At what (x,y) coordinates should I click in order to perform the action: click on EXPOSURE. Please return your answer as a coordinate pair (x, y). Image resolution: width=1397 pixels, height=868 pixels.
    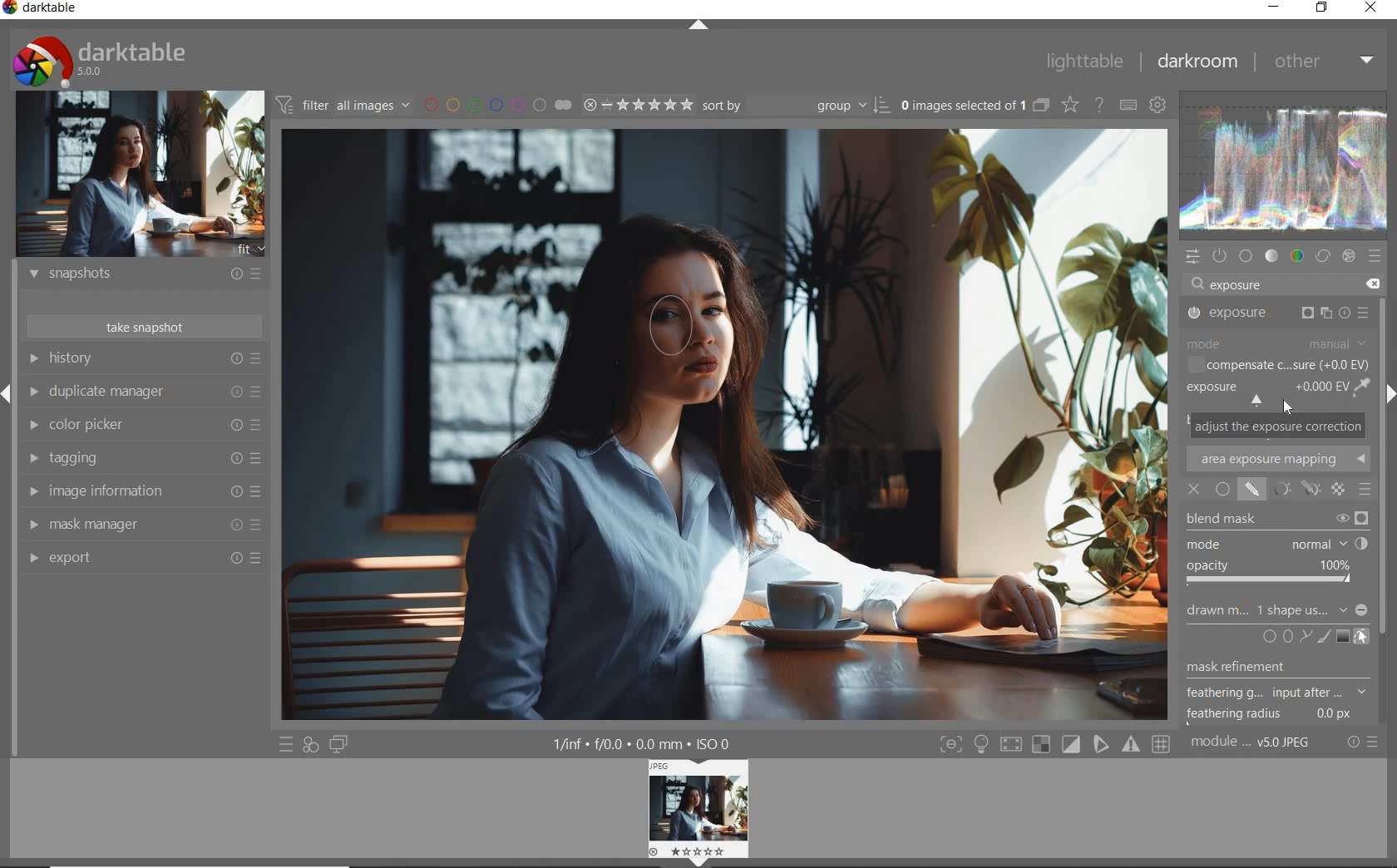
    Looking at the image, I should click on (1276, 314).